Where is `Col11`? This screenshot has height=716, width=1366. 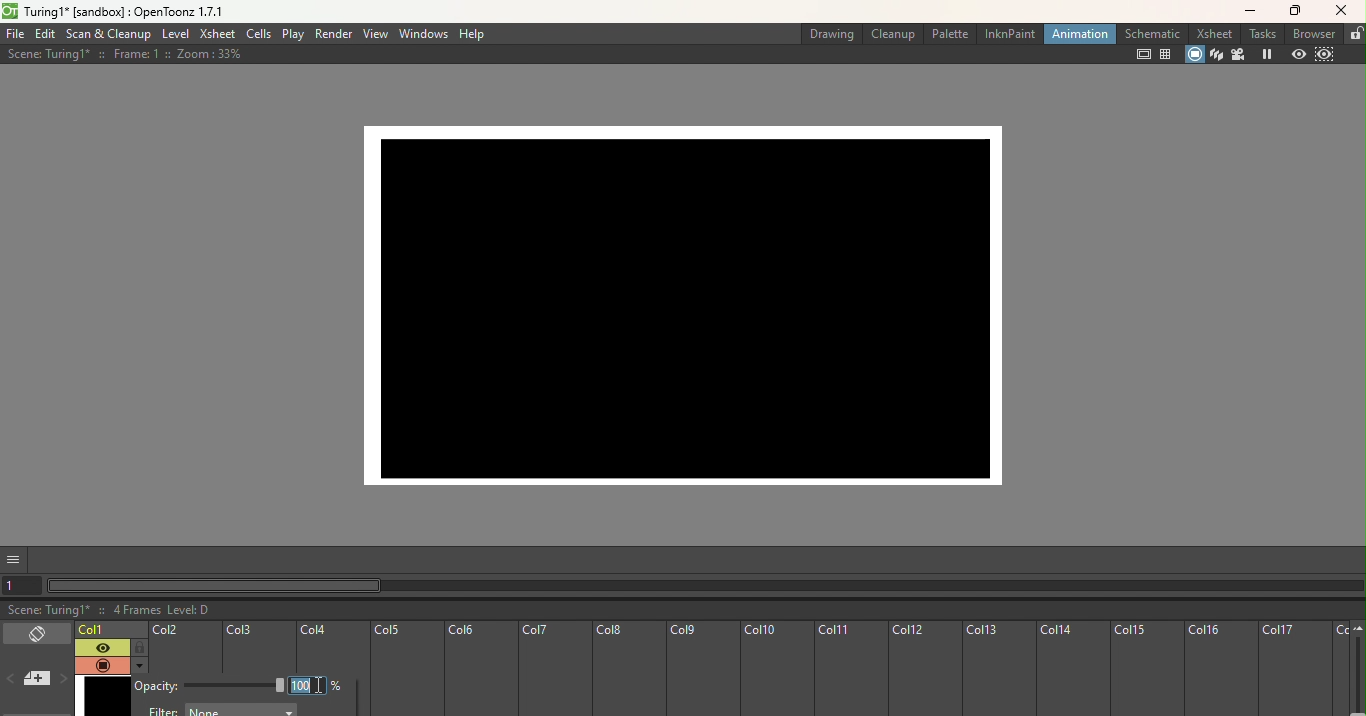
Col11 is located at coordinates (851, 670).